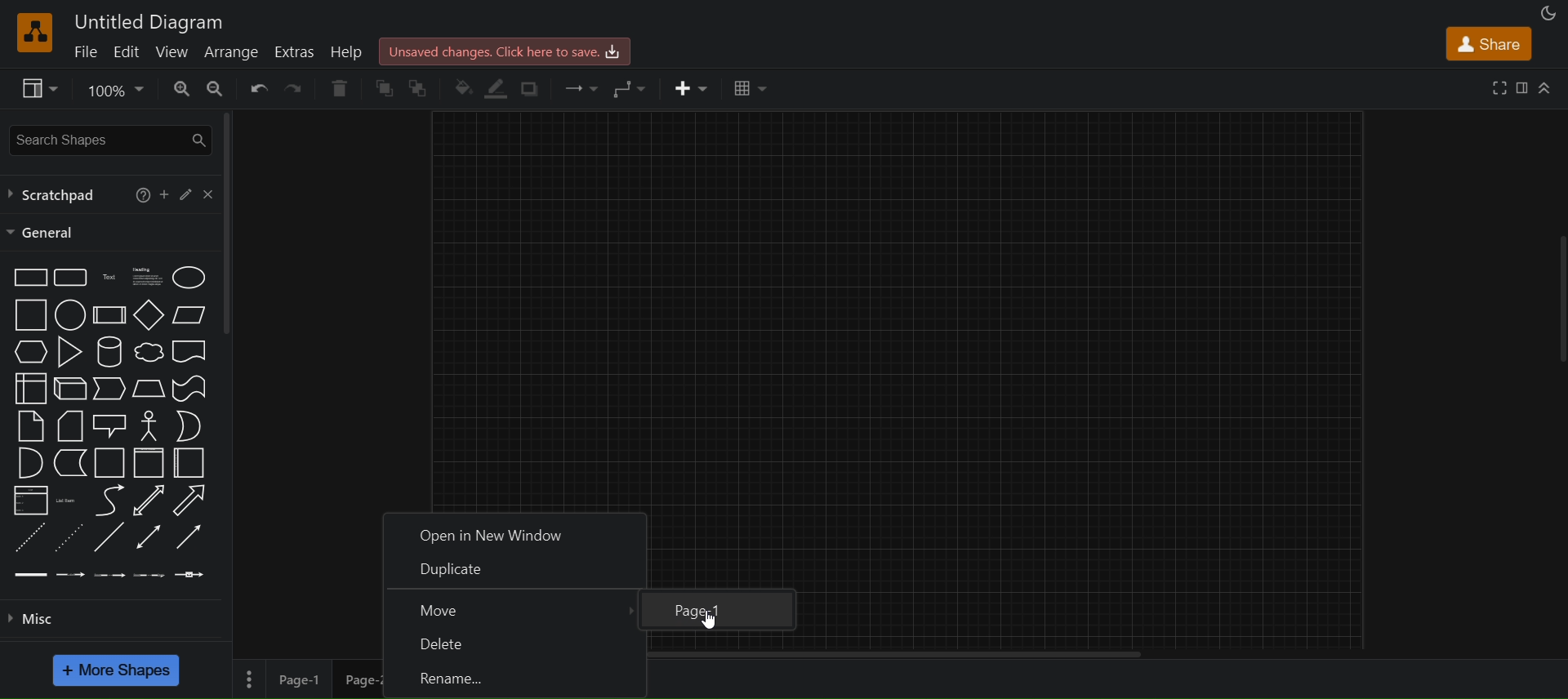 This screenshot has width=1568, height=699. I want to click on triangle, so click(71, 351).